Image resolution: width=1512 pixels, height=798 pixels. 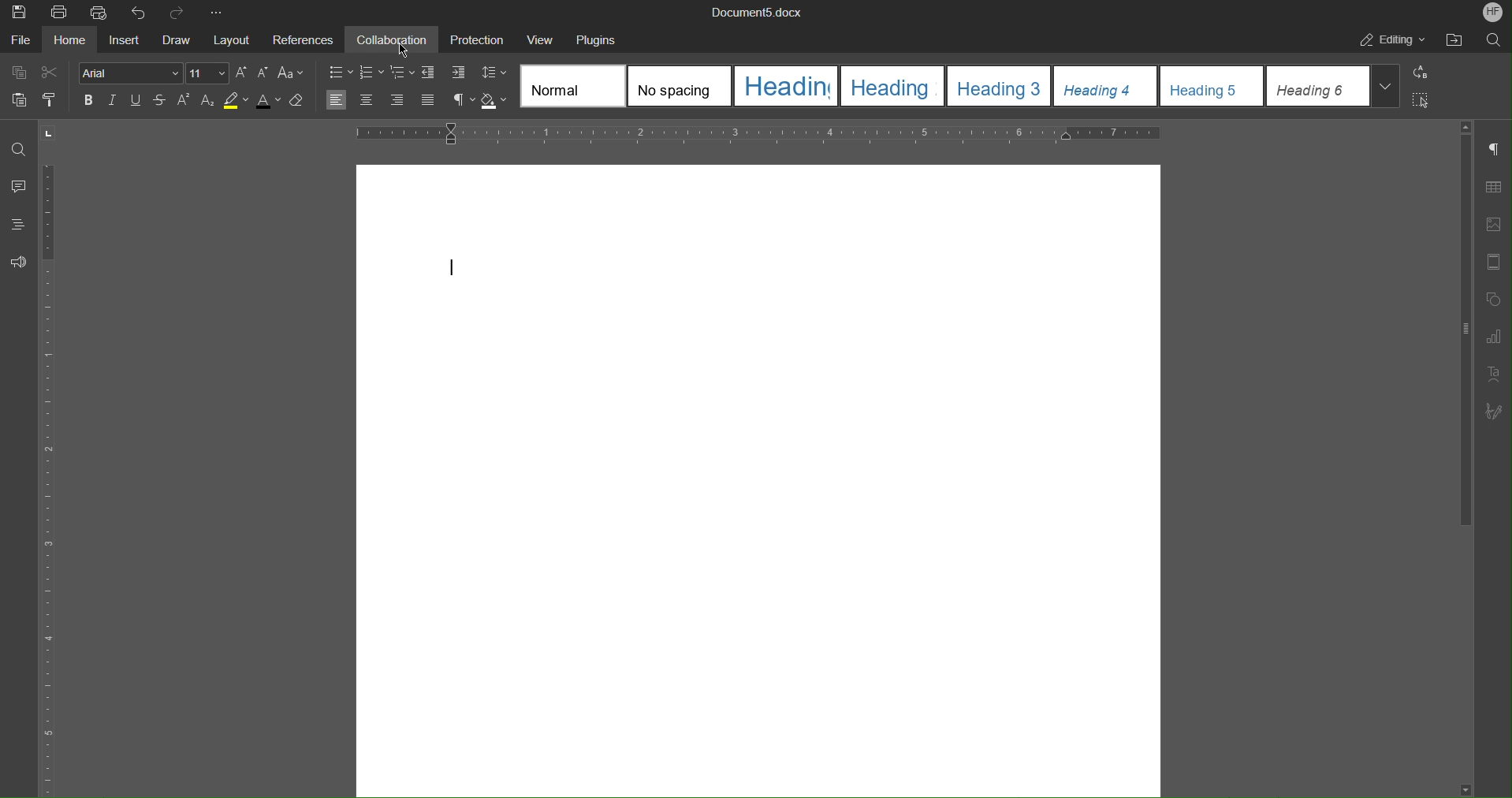 What do you see at coordinates (460, 103) in the screenshot?
I see `Non-Printing Characters` at bounding box center [460, 103].